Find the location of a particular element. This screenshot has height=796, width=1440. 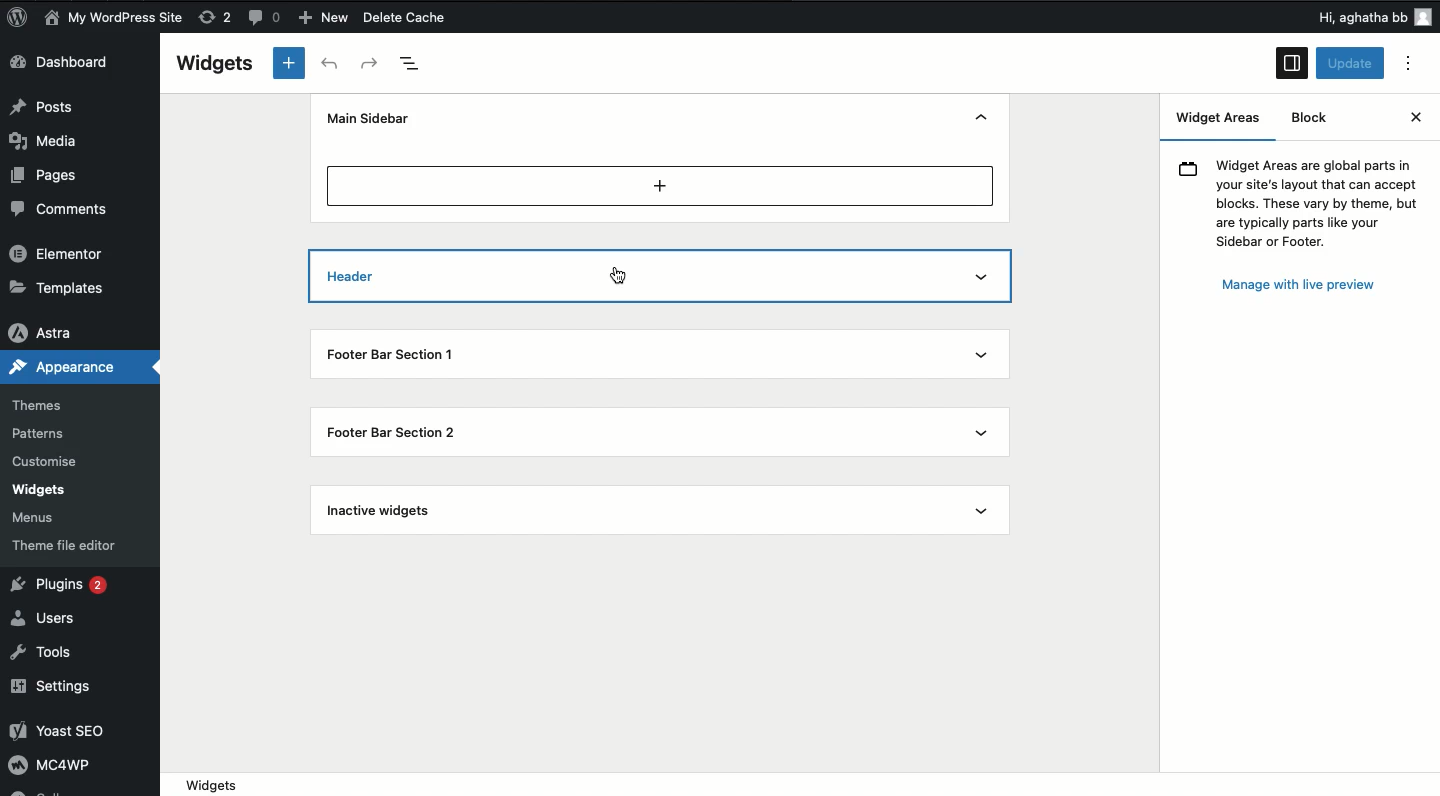

Astra is located at coordinates (50, 328).